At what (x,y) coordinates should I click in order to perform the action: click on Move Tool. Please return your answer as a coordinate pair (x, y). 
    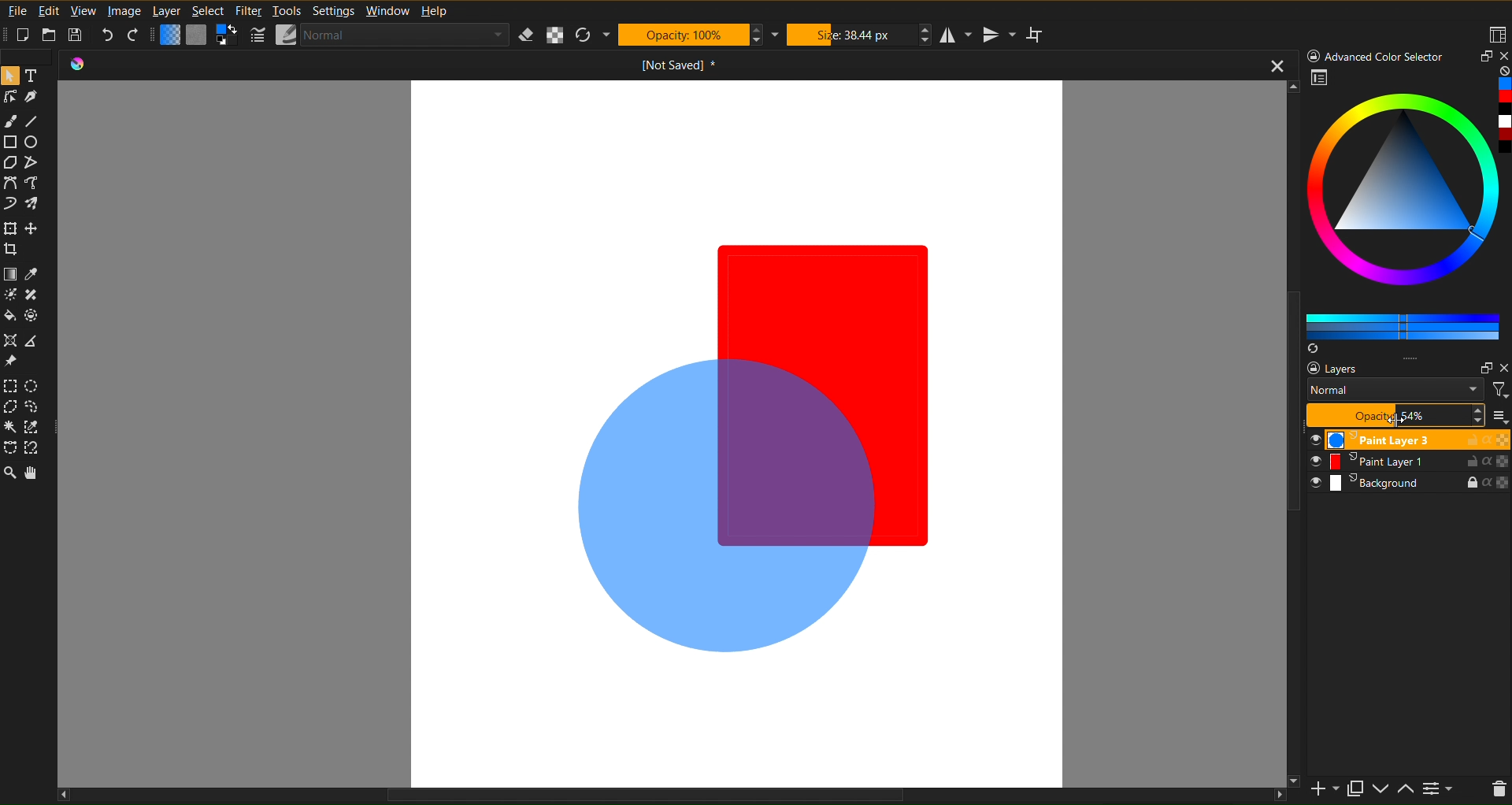
    Looking at the image, I should click on (34, 228).